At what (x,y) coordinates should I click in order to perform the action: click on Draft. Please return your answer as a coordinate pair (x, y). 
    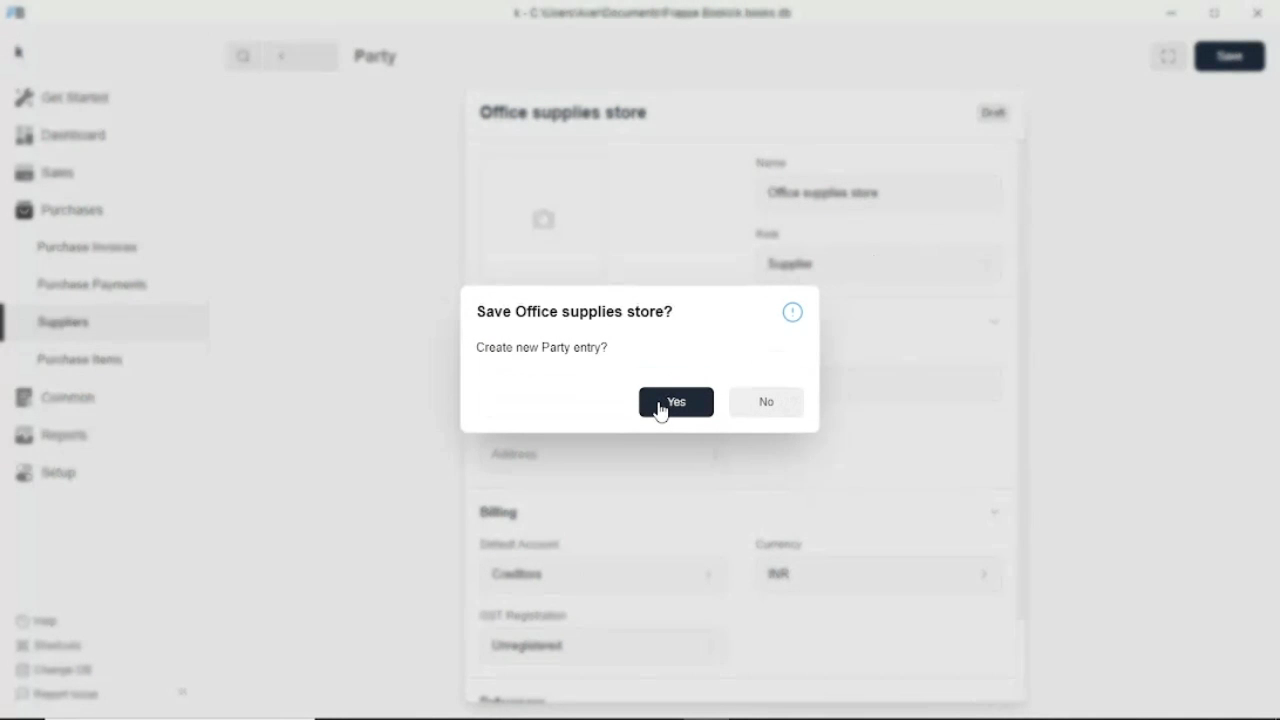
    Looking at the image, I should click on (995, 114).